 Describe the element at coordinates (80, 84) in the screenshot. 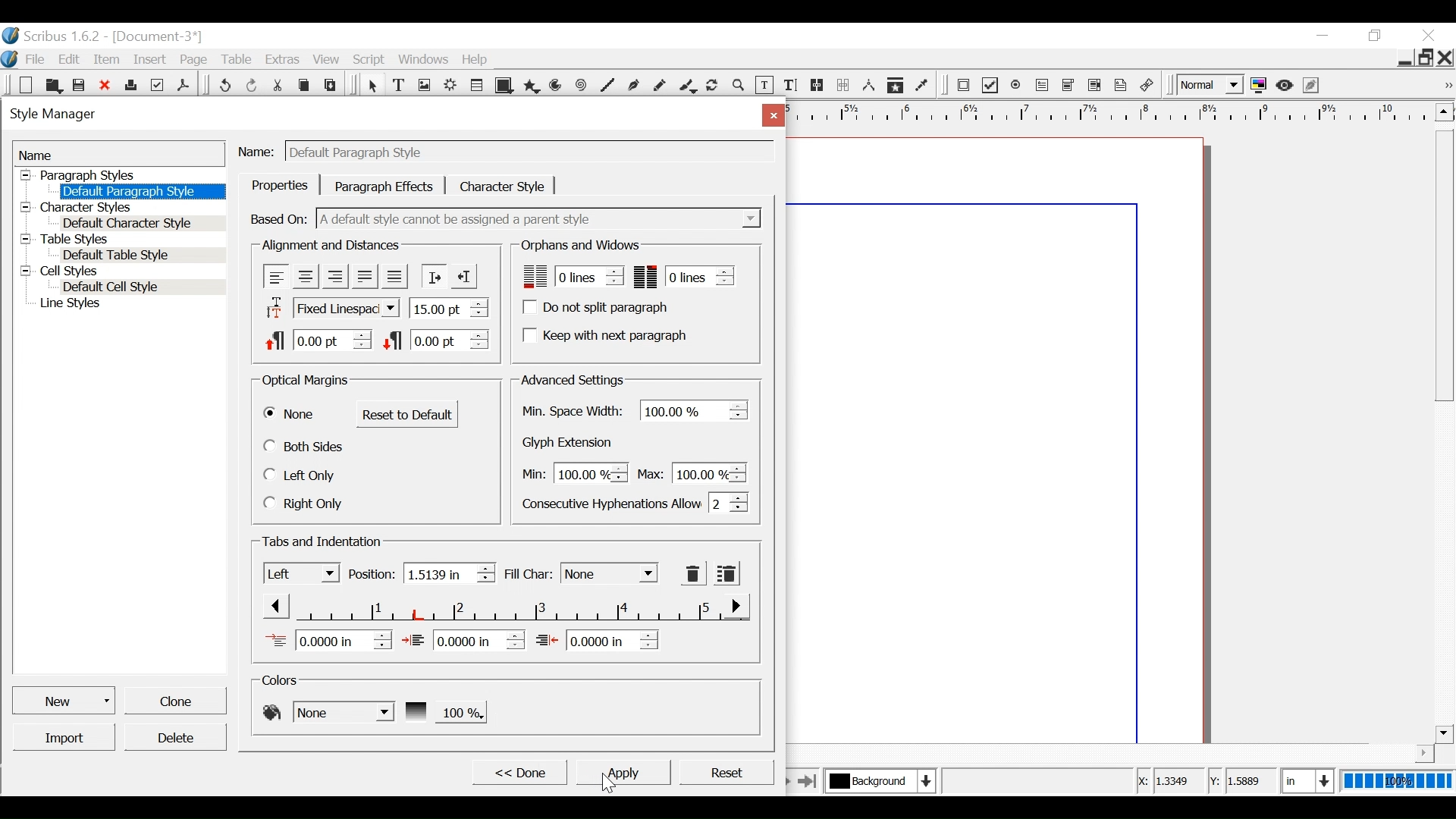

I see `Save` at that location.